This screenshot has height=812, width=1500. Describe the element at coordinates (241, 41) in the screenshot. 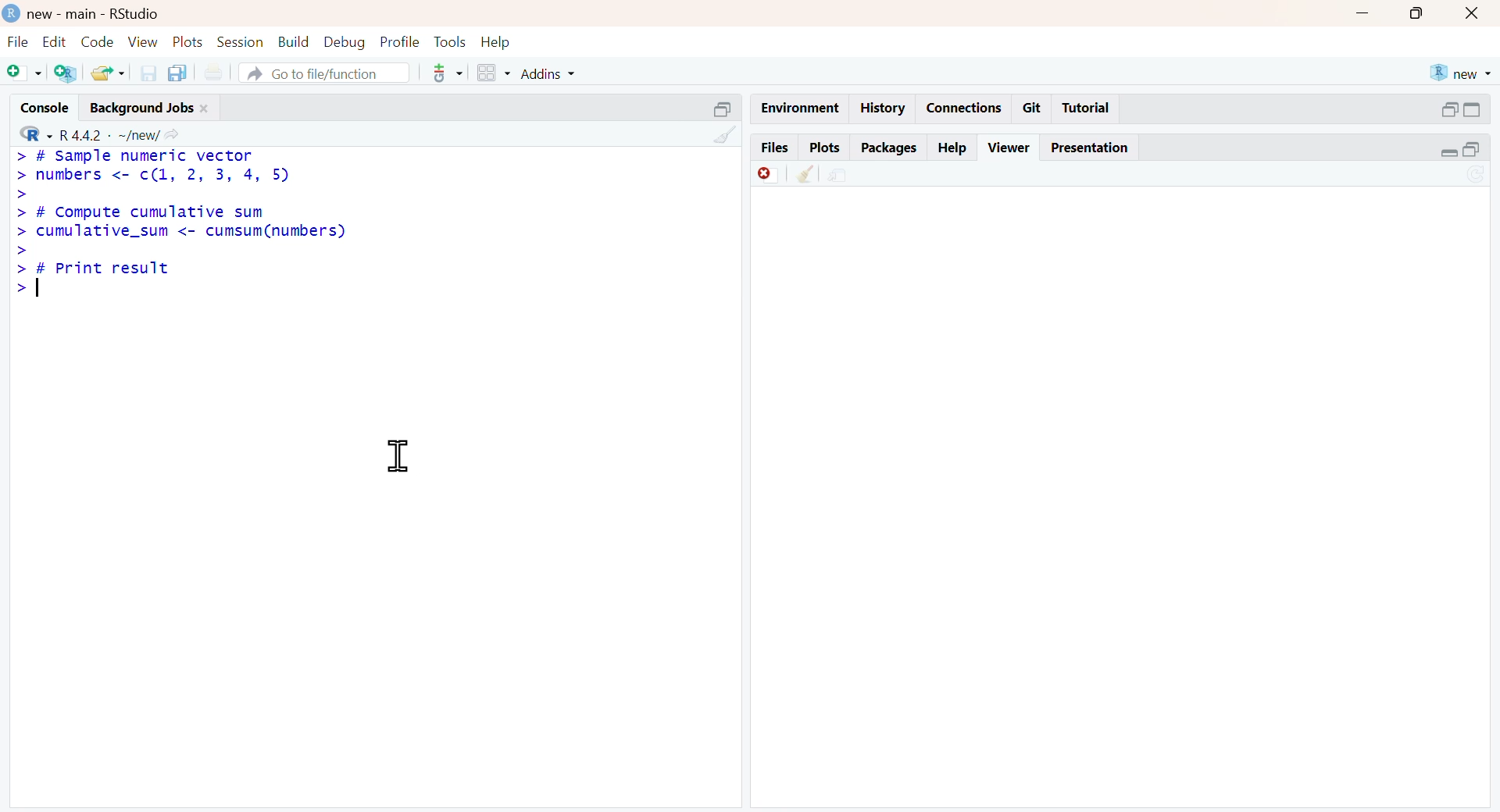

I see `session` at that location.